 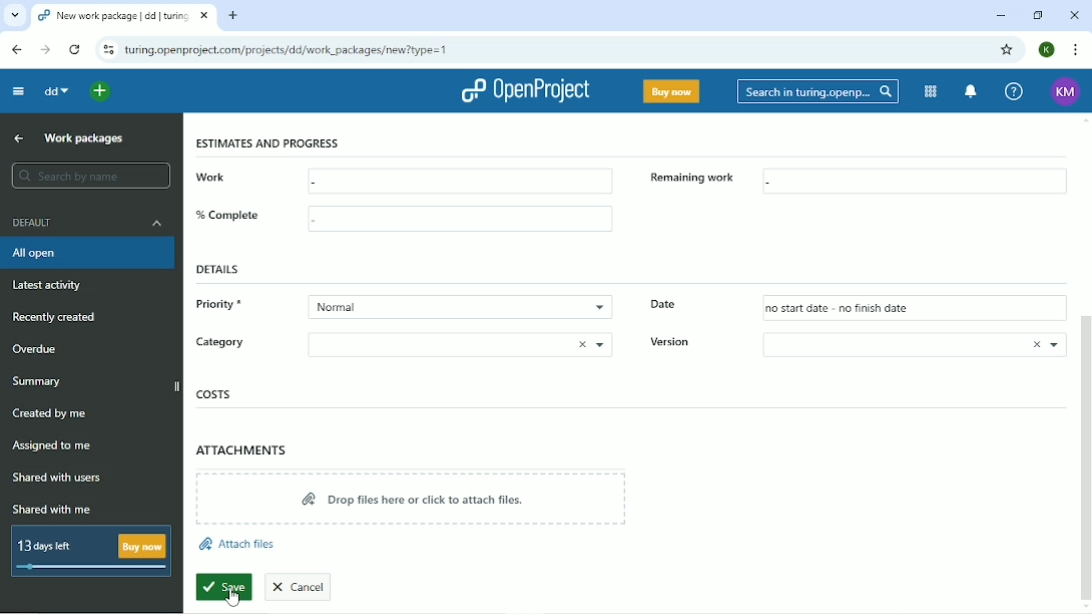 I want to click on OpenProject, so click(x=527, y=91).